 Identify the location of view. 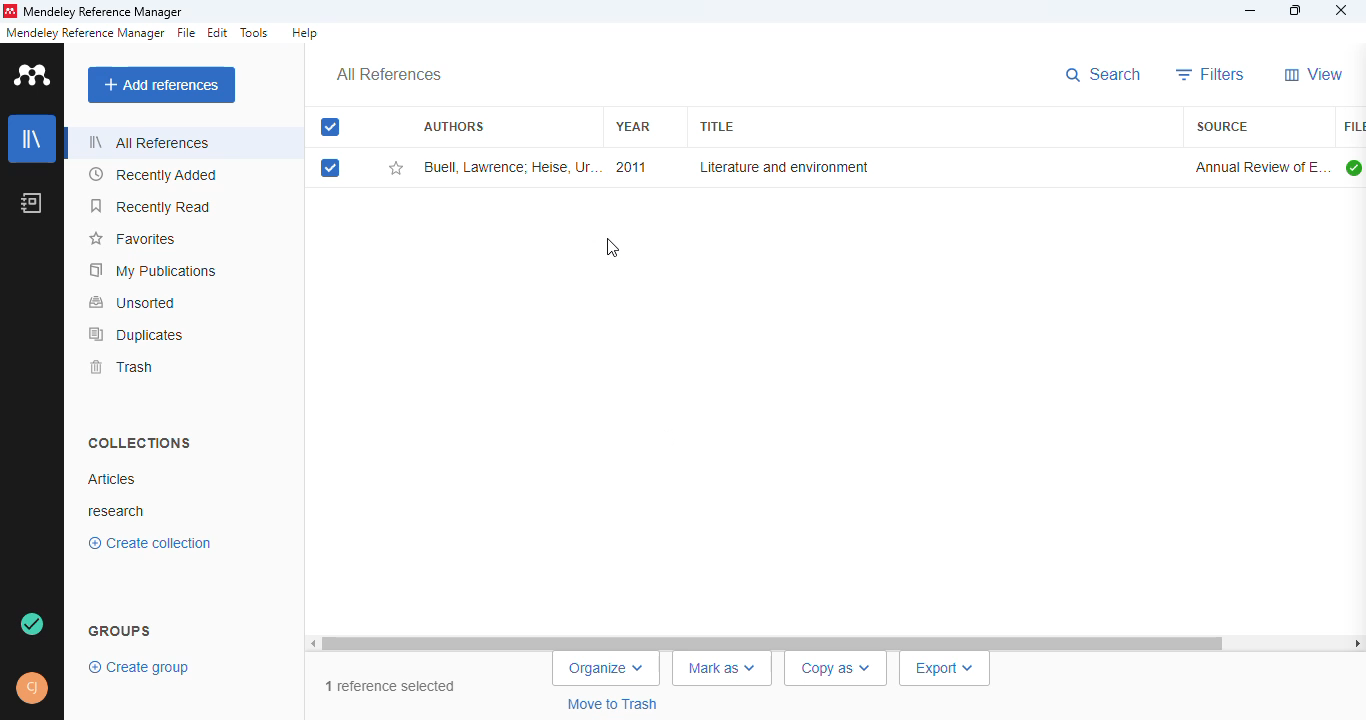
(1315, 74).